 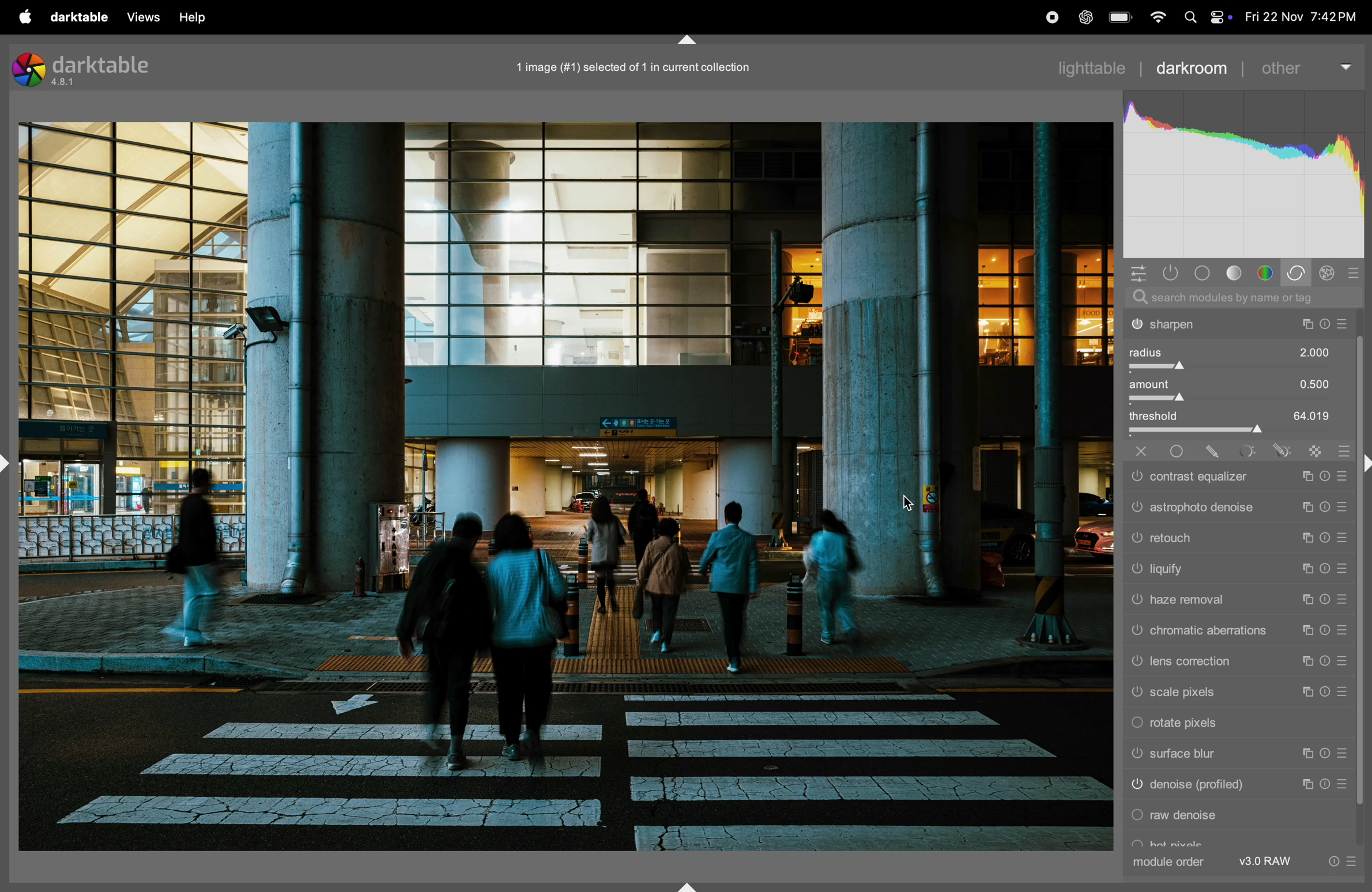 What do you see at coordinates (203, 14) in the screenshot?
I see `help` at bounding box center [203, 14].